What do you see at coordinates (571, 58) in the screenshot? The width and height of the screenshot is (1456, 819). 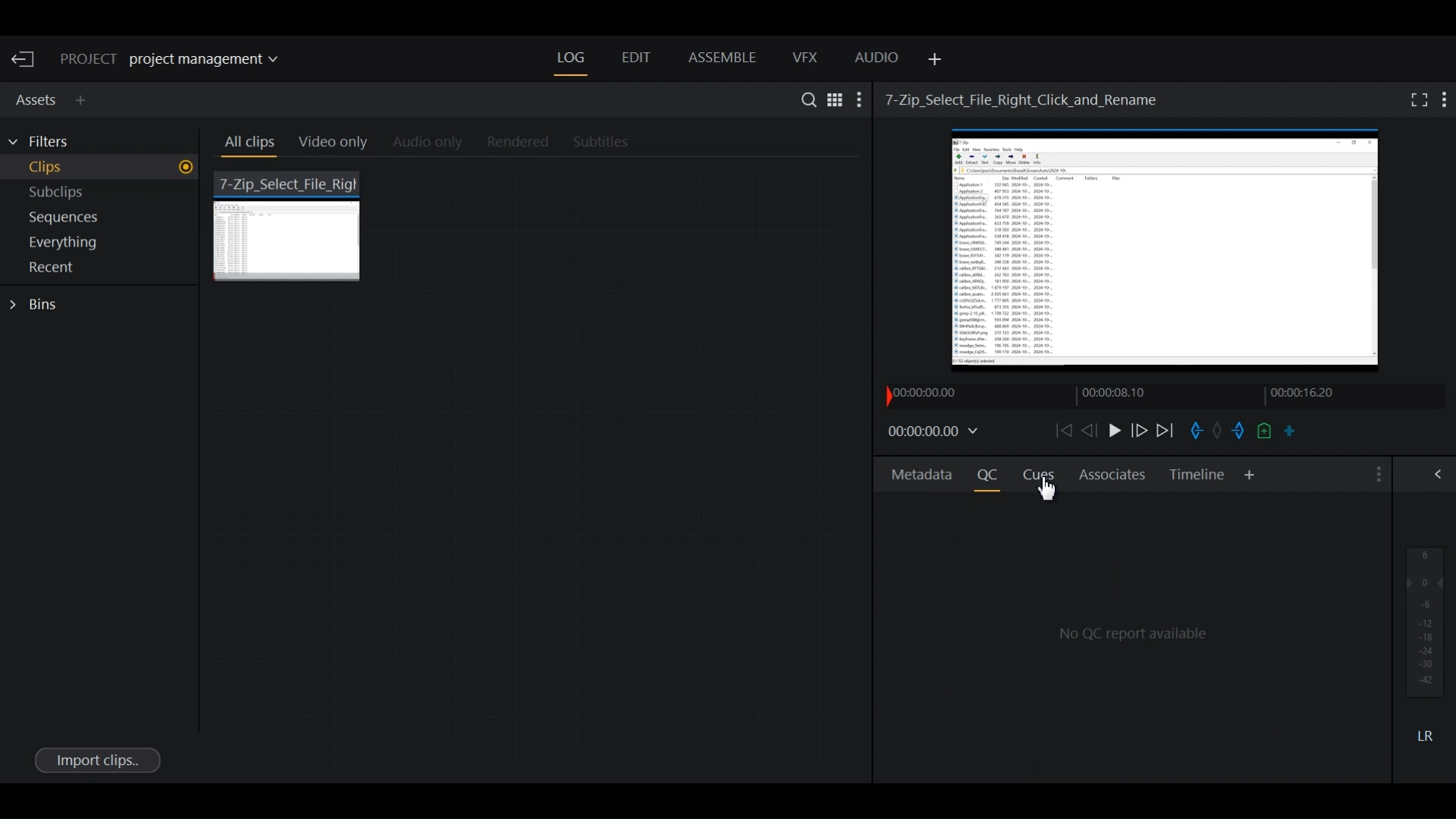 I see `Log` at bounding box center [571, 58].